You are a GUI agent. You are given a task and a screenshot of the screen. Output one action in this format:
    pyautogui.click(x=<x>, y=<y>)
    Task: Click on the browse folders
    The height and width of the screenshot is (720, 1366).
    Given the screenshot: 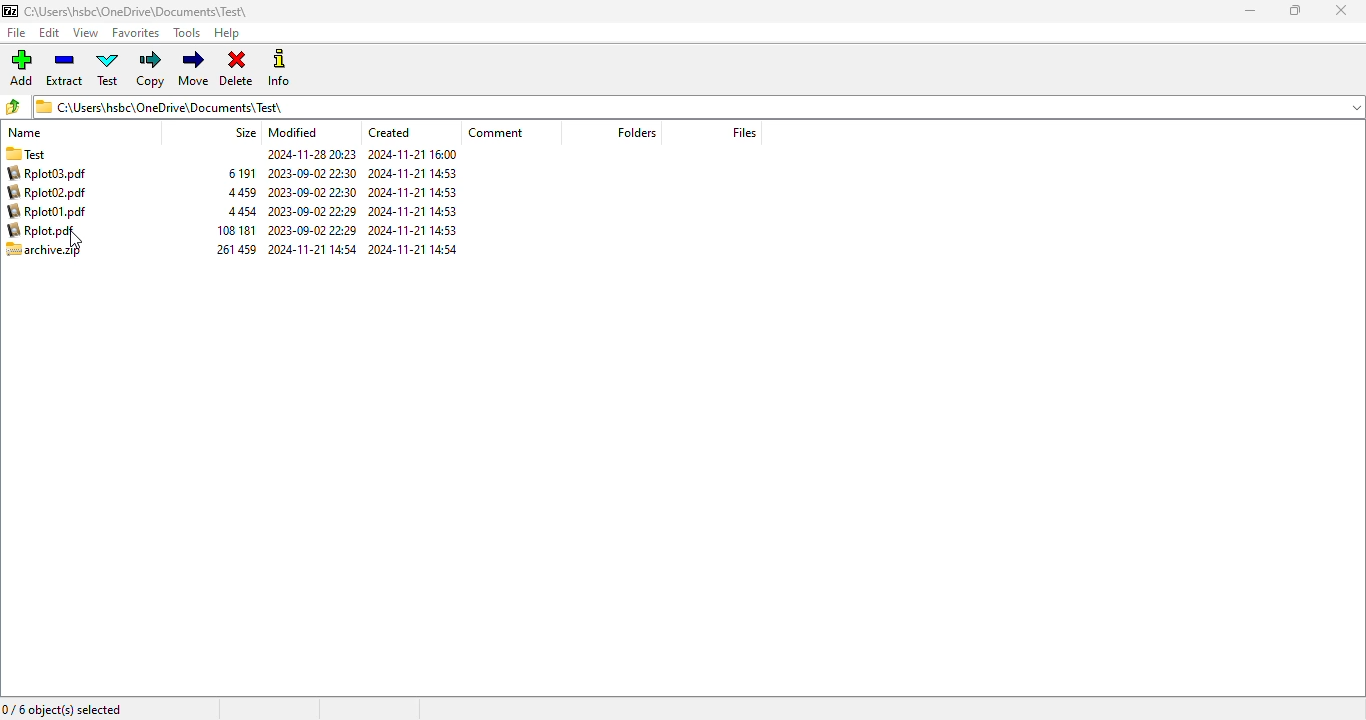 What is the action you would take?
    pyautogui.click(x=13, y=106)
    